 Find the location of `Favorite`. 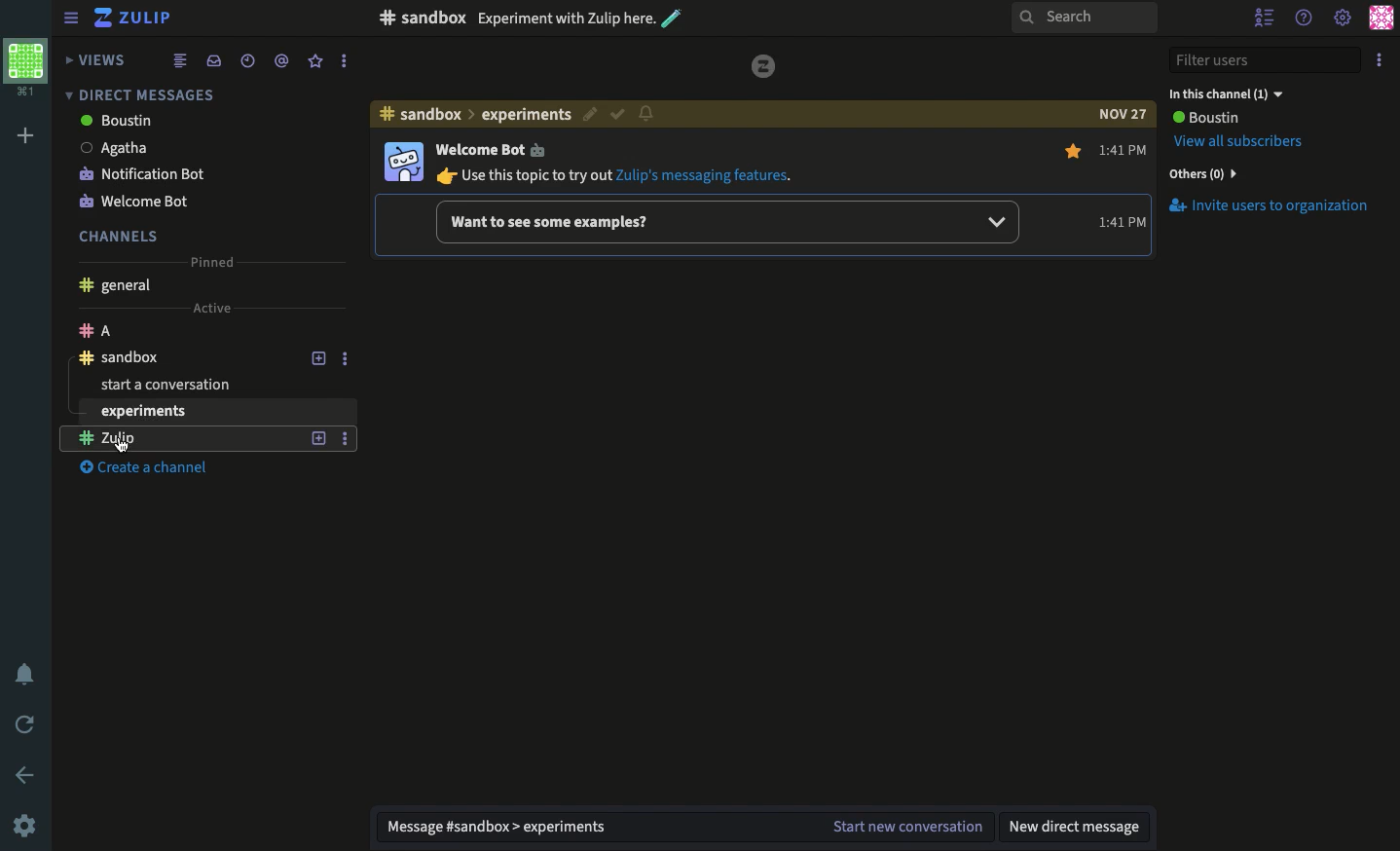

Favorite is located at coordinates (316, 60).